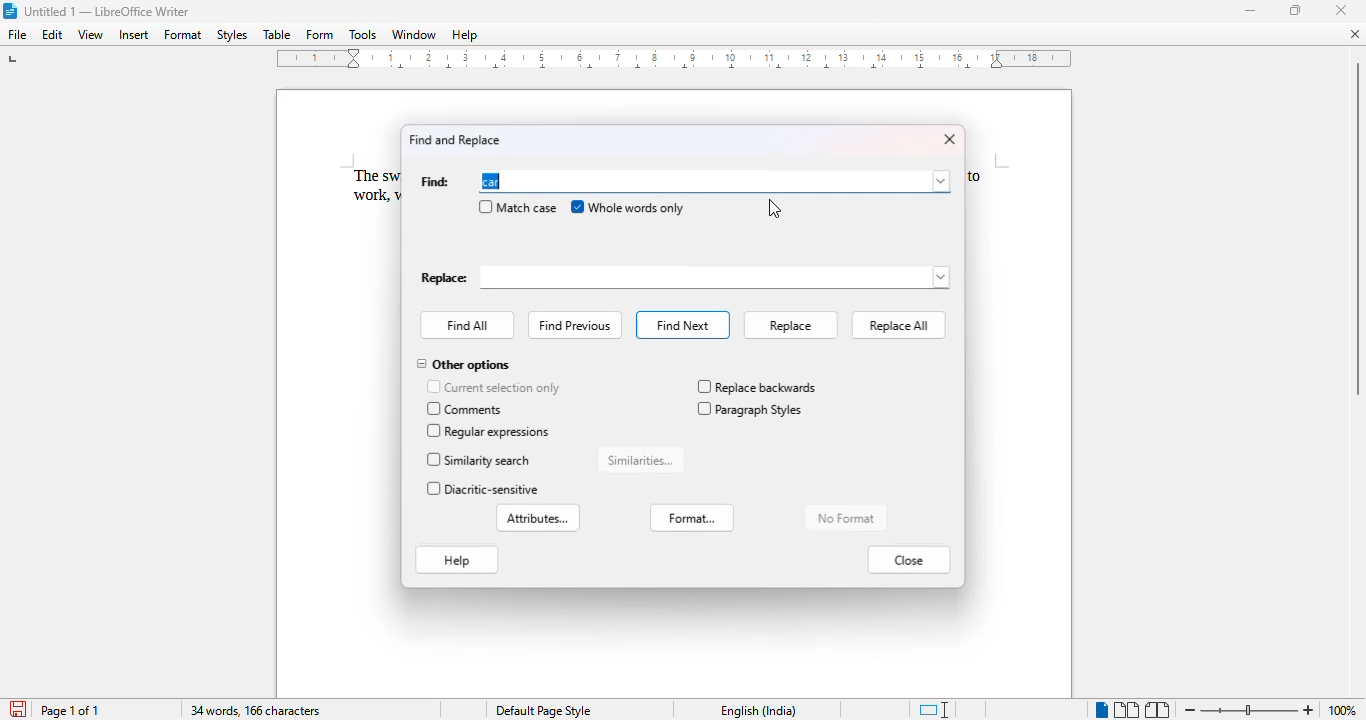 The image size is (1366, 720). I want to click on Change zoom levele, so click(1248, 711).